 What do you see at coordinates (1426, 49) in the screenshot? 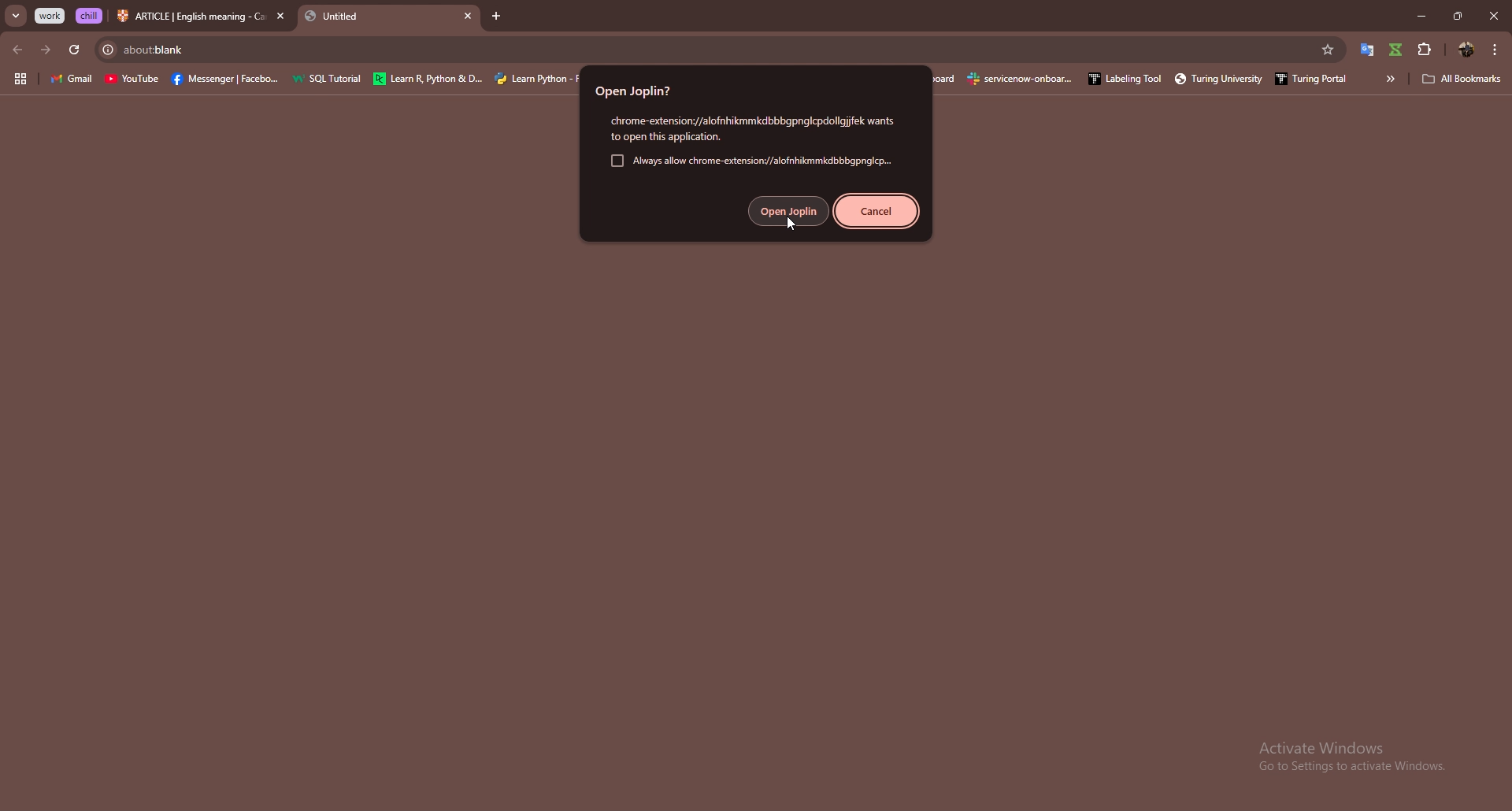
I see `extensions` at bounding box center [1426, 49].